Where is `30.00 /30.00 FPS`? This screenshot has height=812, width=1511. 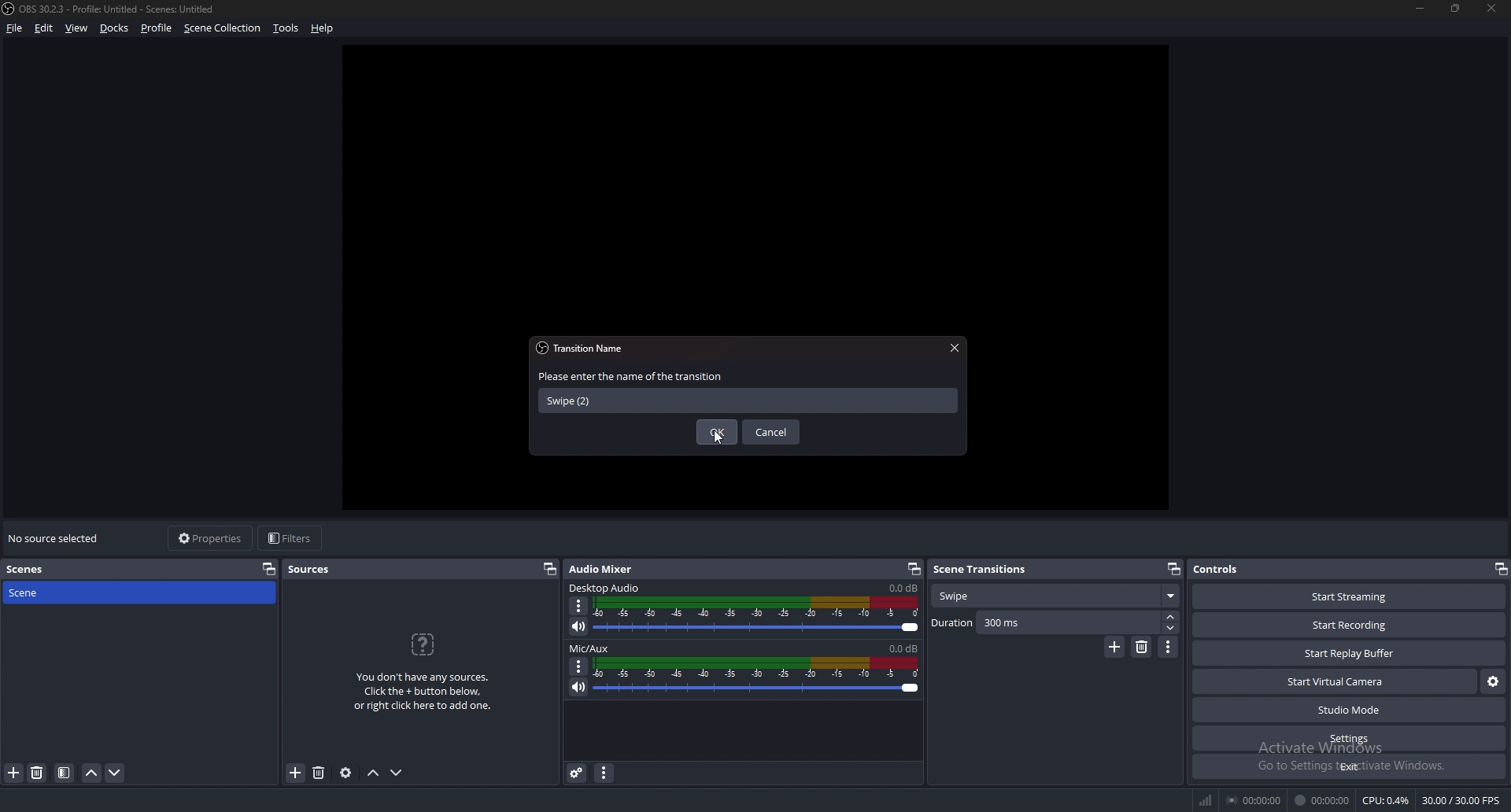
30.00 /30.00 FPS is located at coordinates (1461, 800).